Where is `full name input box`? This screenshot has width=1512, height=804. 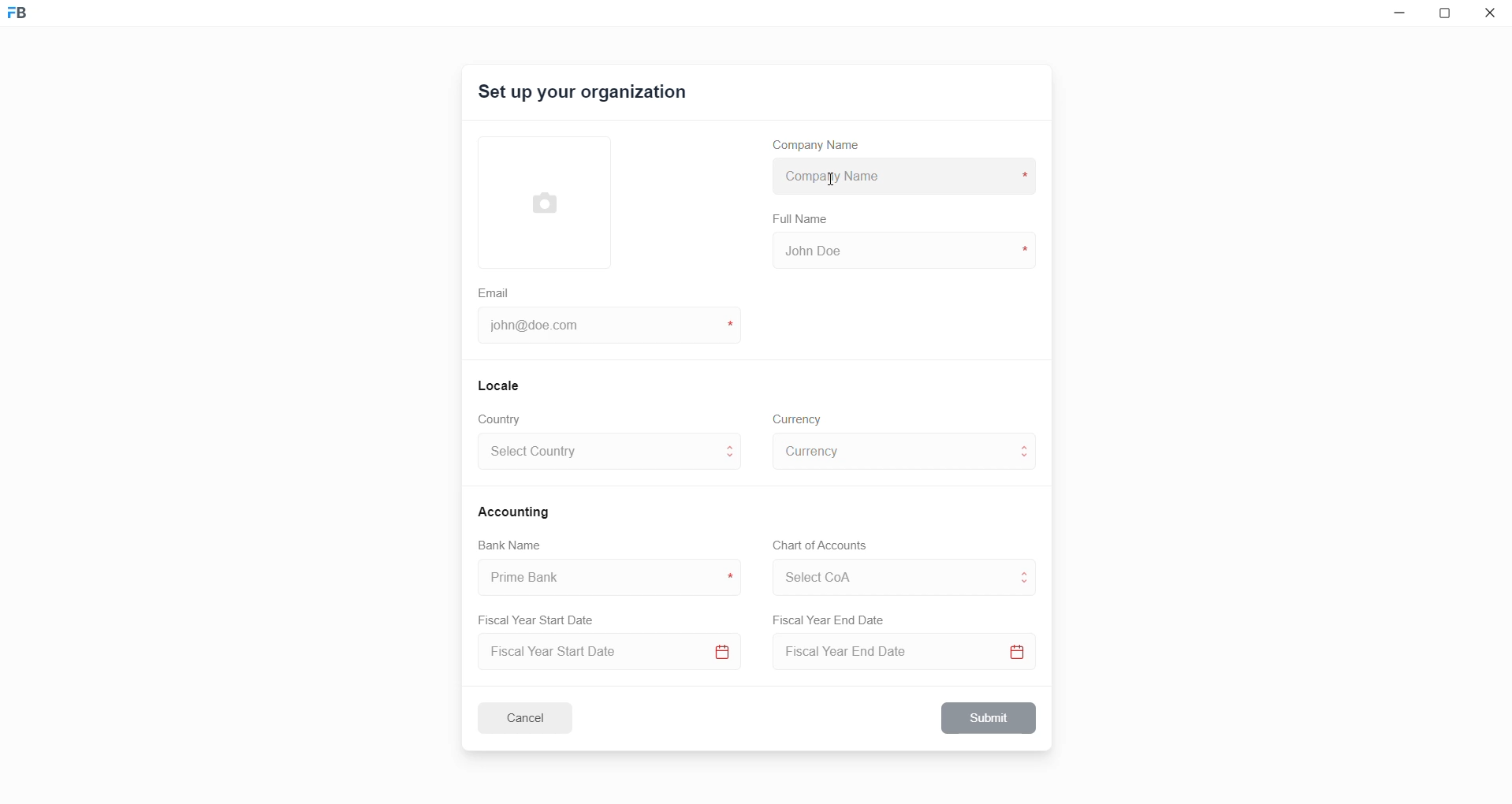 full name input box is located at coordinates (902, 249).